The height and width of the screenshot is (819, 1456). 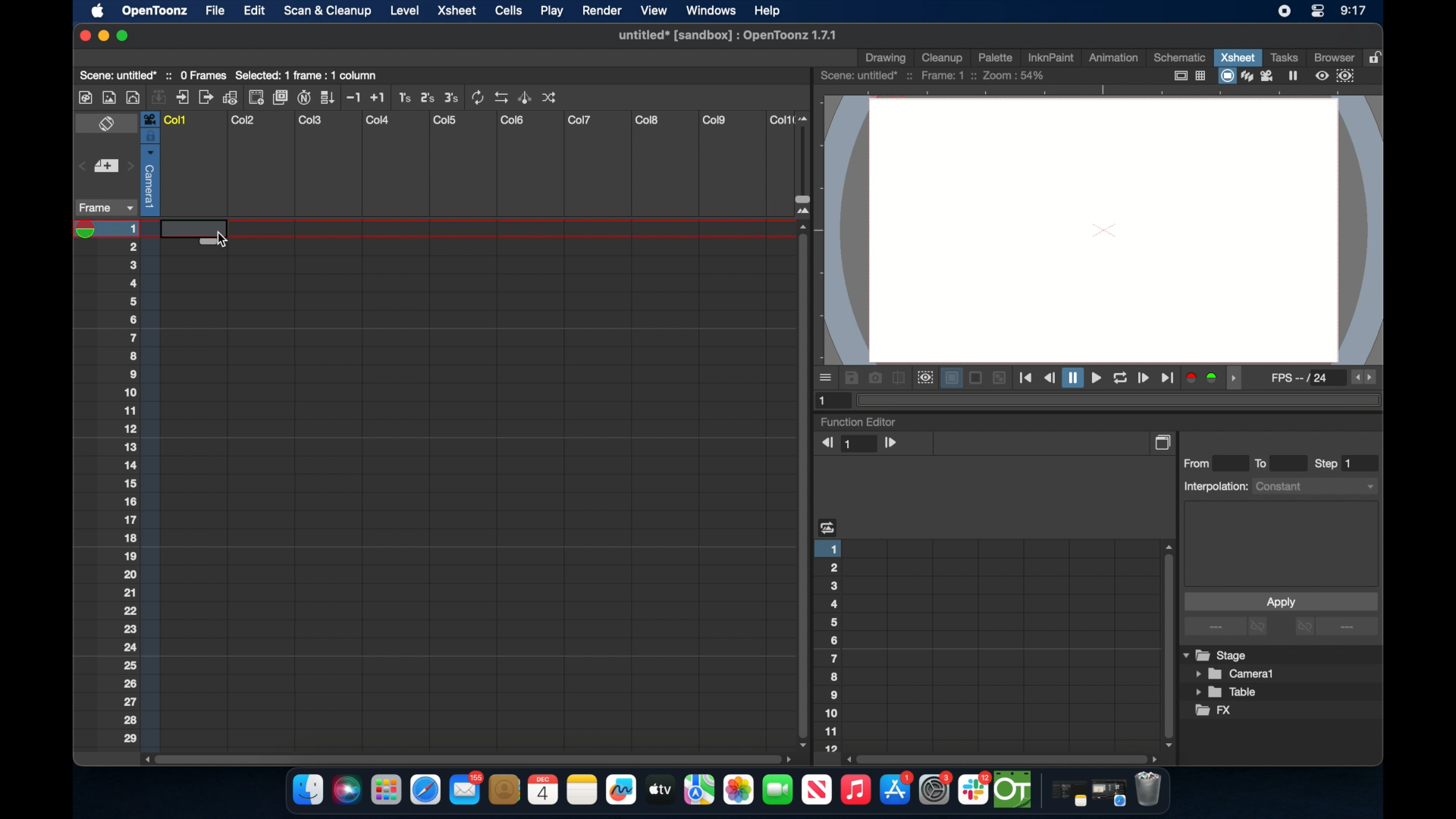 I want to click on play, so click(x=551, y=11).